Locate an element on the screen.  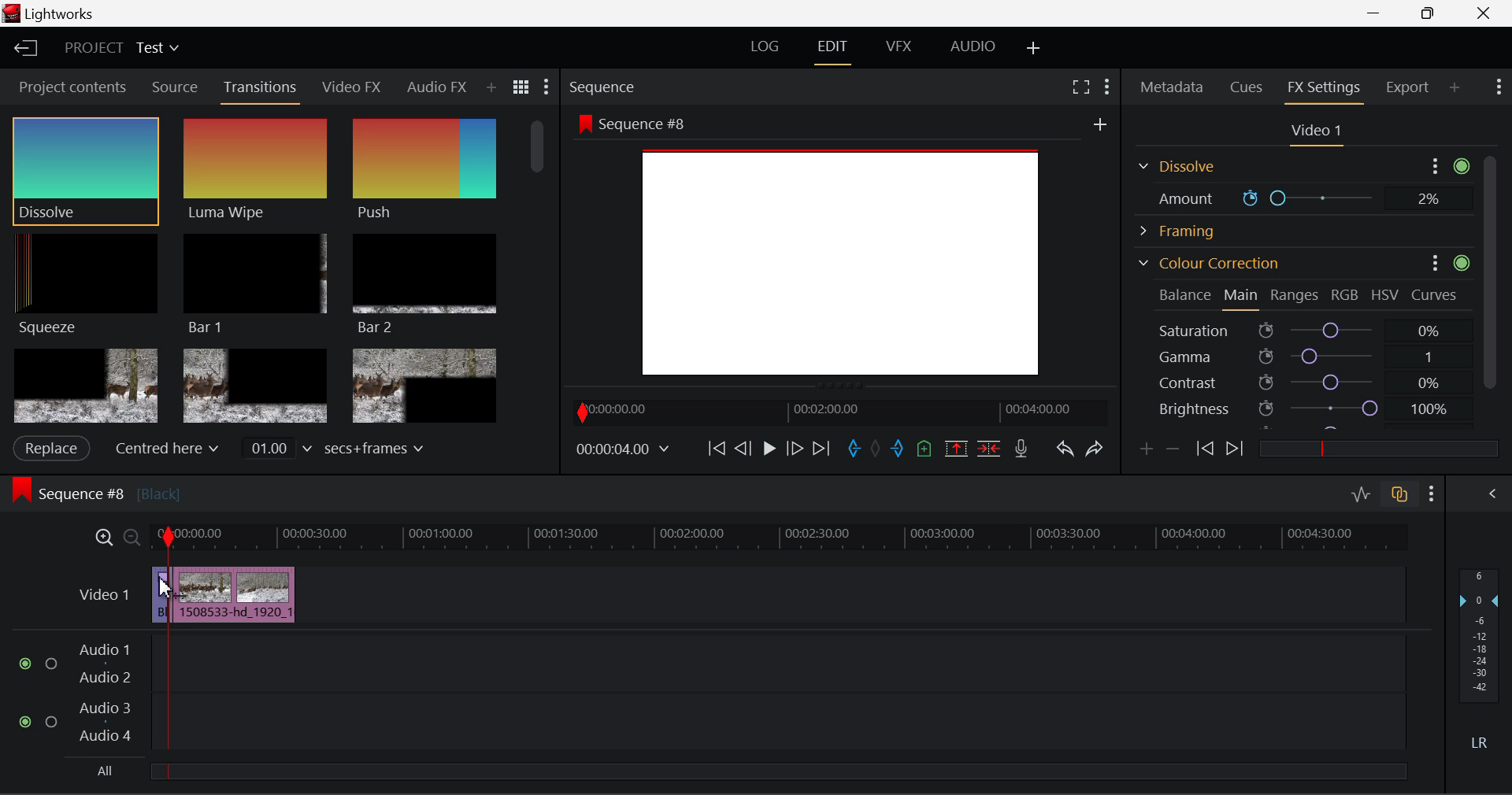
Bar 2 is located at coordinates (424, 284).